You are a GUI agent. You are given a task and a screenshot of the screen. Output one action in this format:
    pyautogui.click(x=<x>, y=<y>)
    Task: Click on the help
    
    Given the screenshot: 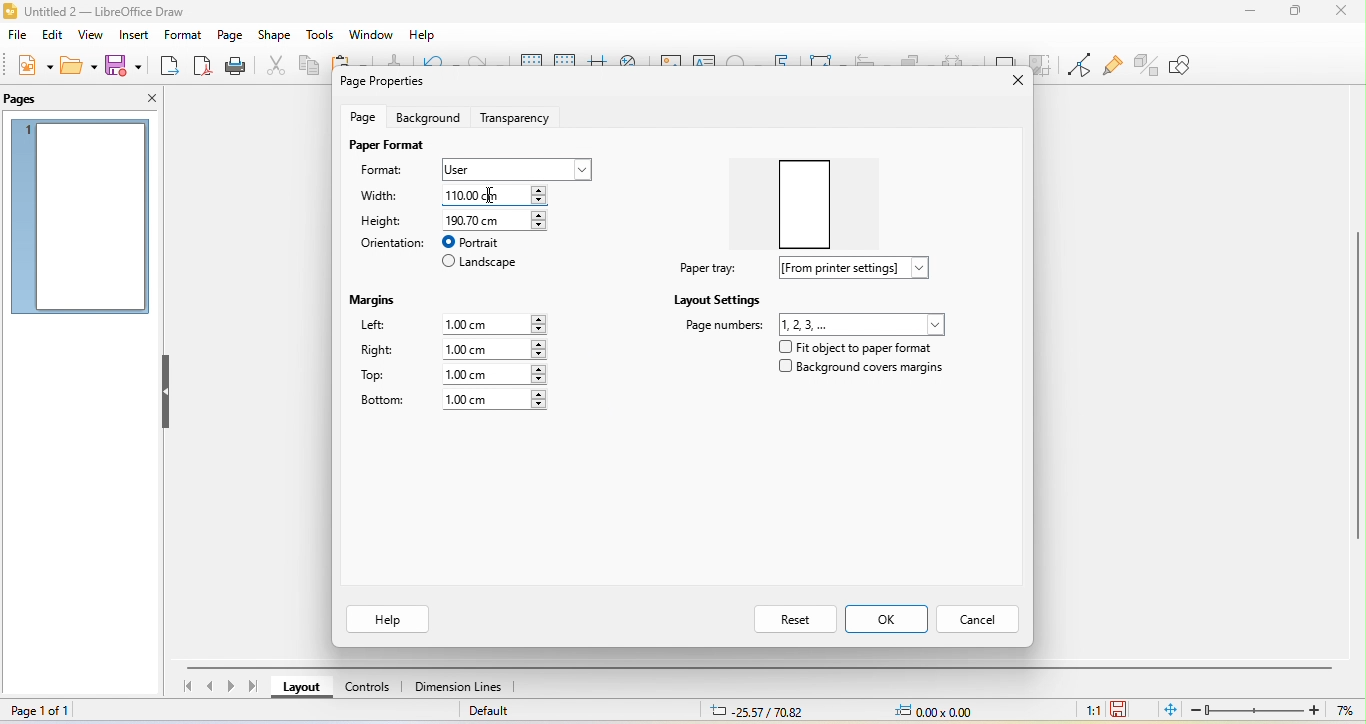 What is the action you would take?
    pyautogui.click(x=420, y=36)
    